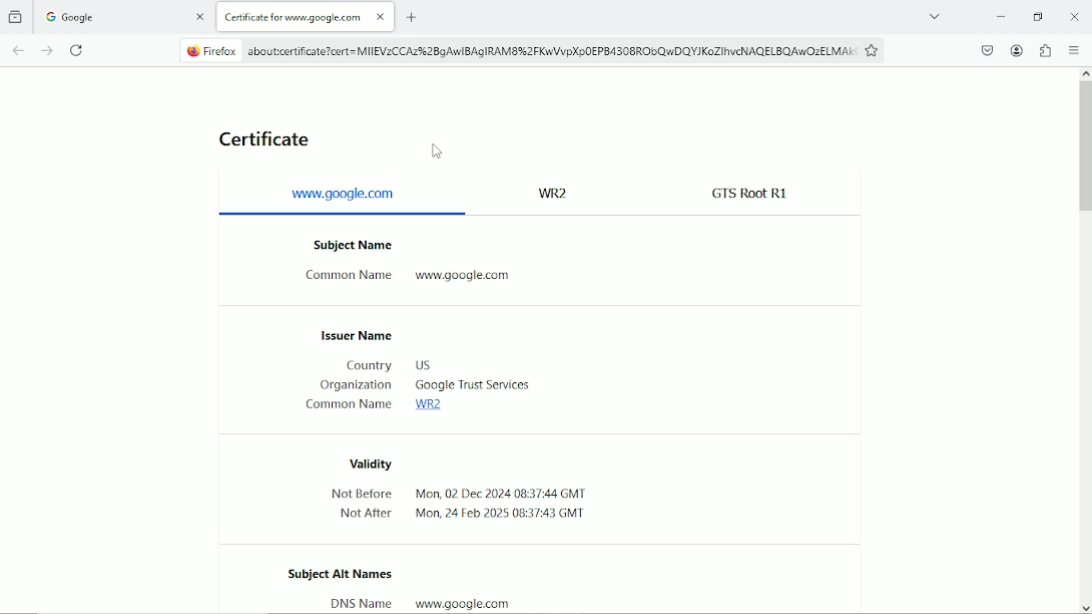 The height and width of the screenshot is (614, 1092). I want to click on Reload current tab, so click(79, 50).